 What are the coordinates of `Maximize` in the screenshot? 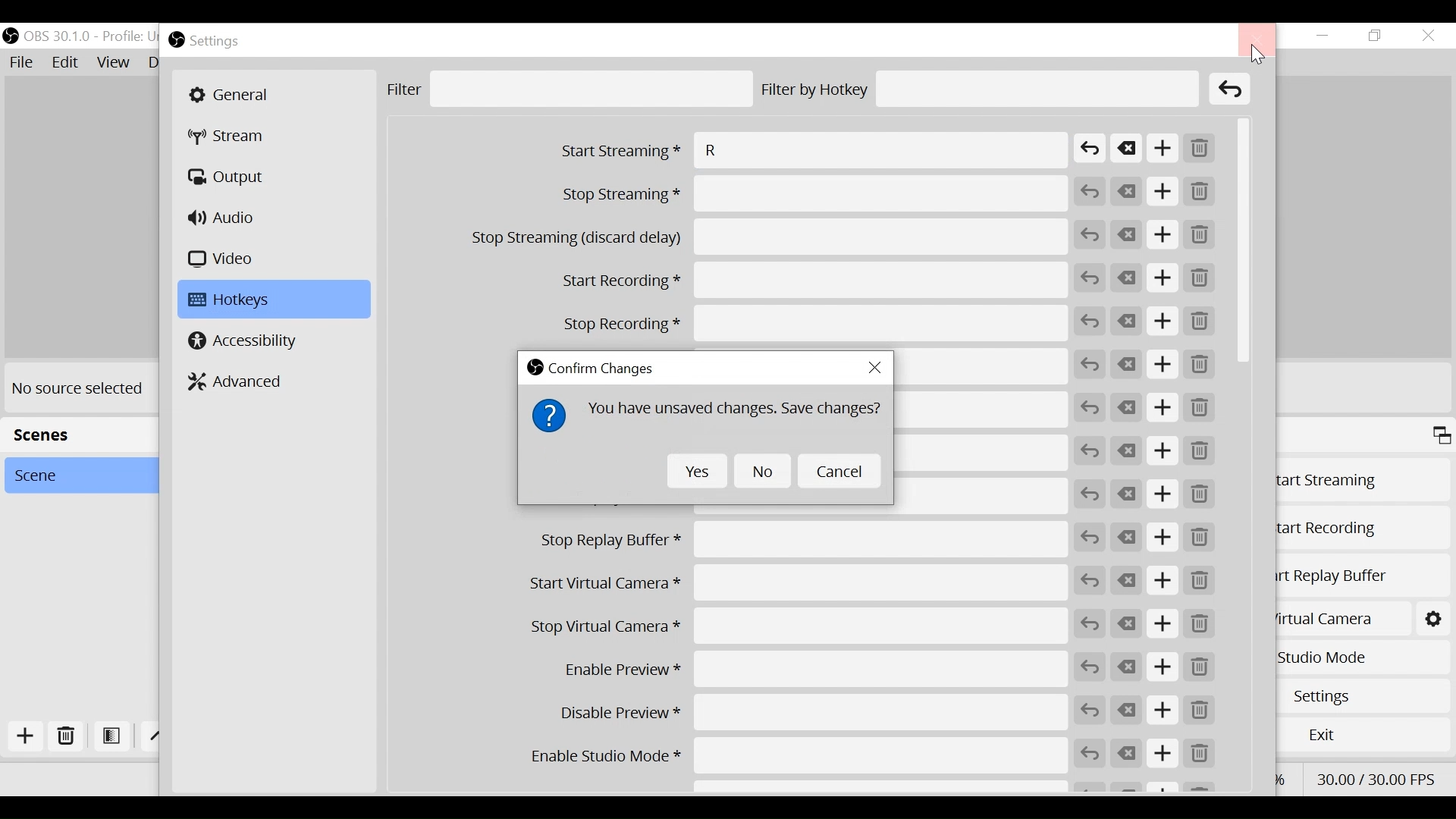 It's located at (1441, 437).